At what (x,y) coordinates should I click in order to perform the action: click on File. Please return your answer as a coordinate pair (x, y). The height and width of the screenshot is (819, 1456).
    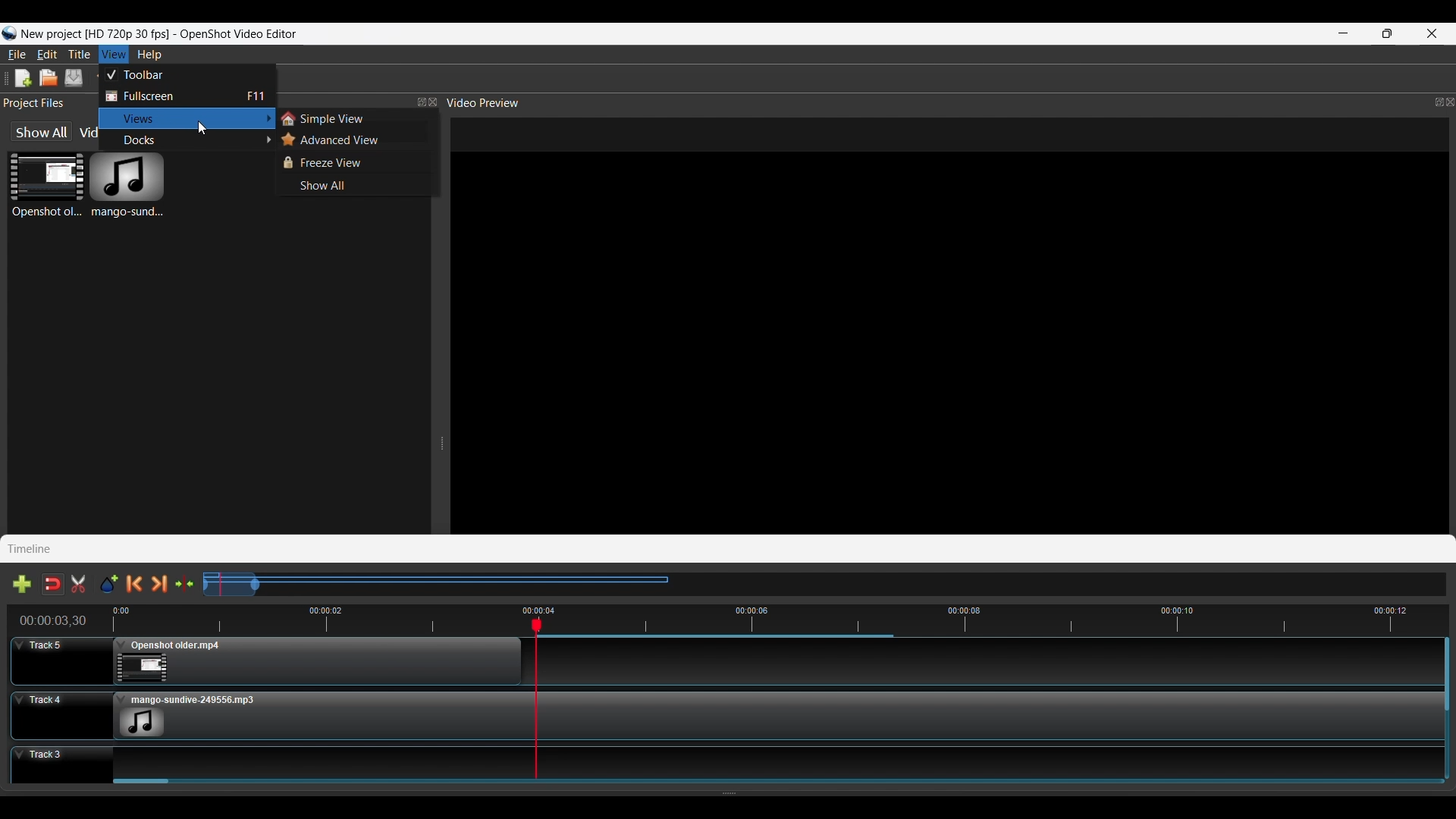
    Looking at the image, I should click on (17, 55).